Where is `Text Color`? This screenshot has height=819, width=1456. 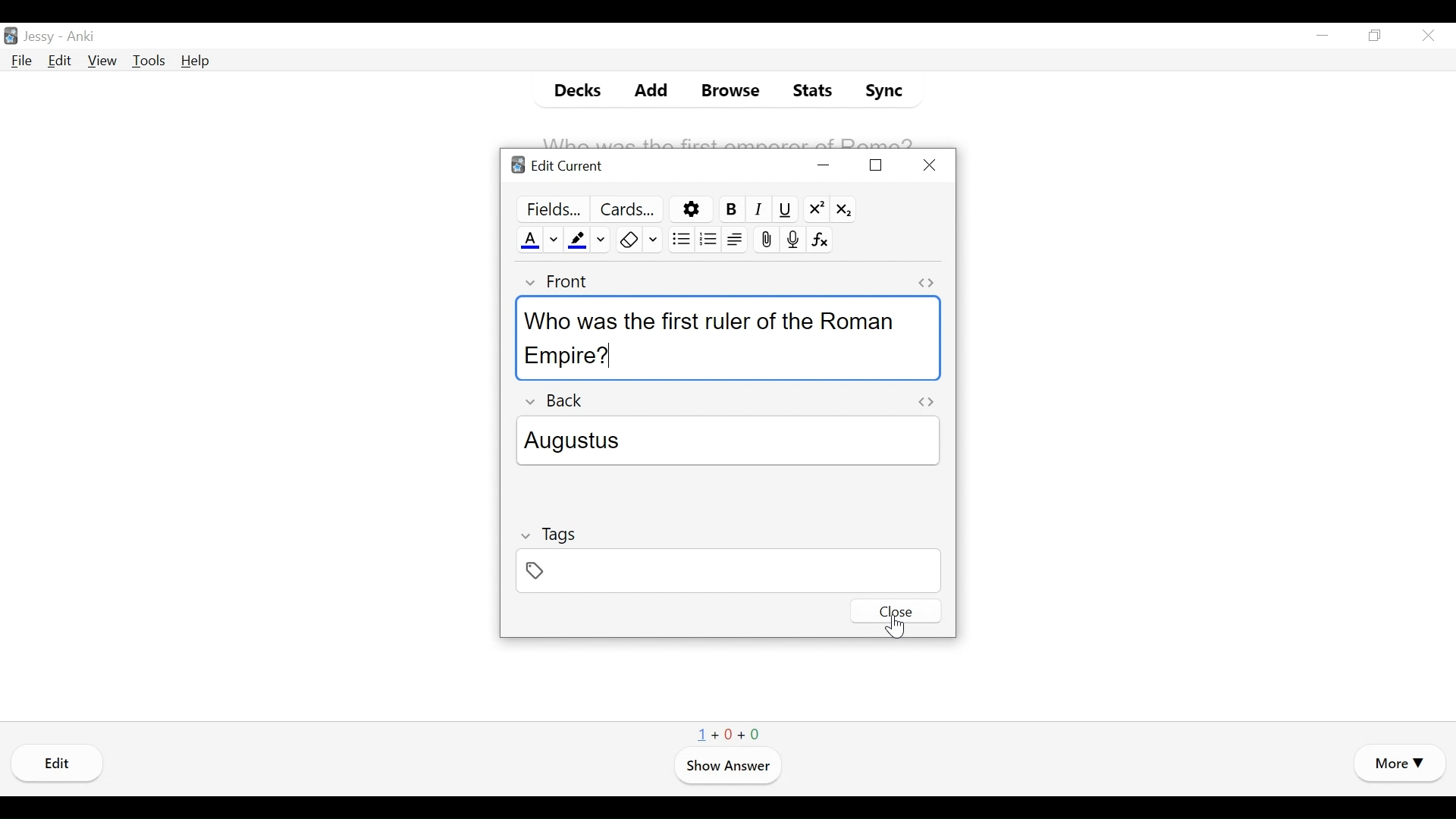 Text Color is located at coordinates (529, 239).